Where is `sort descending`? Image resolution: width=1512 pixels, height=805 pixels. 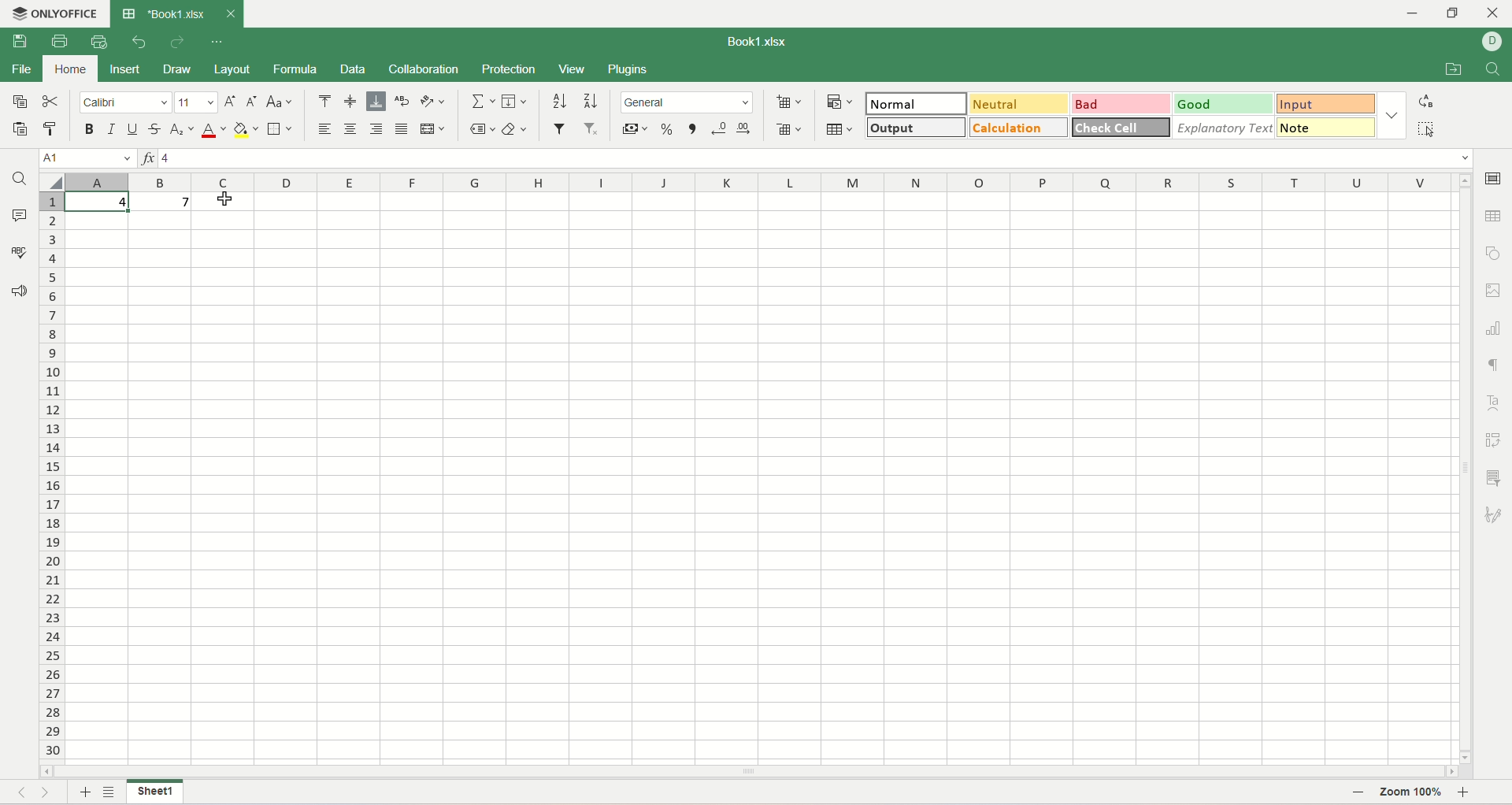
sort descending is located at coordinates (588, 101).